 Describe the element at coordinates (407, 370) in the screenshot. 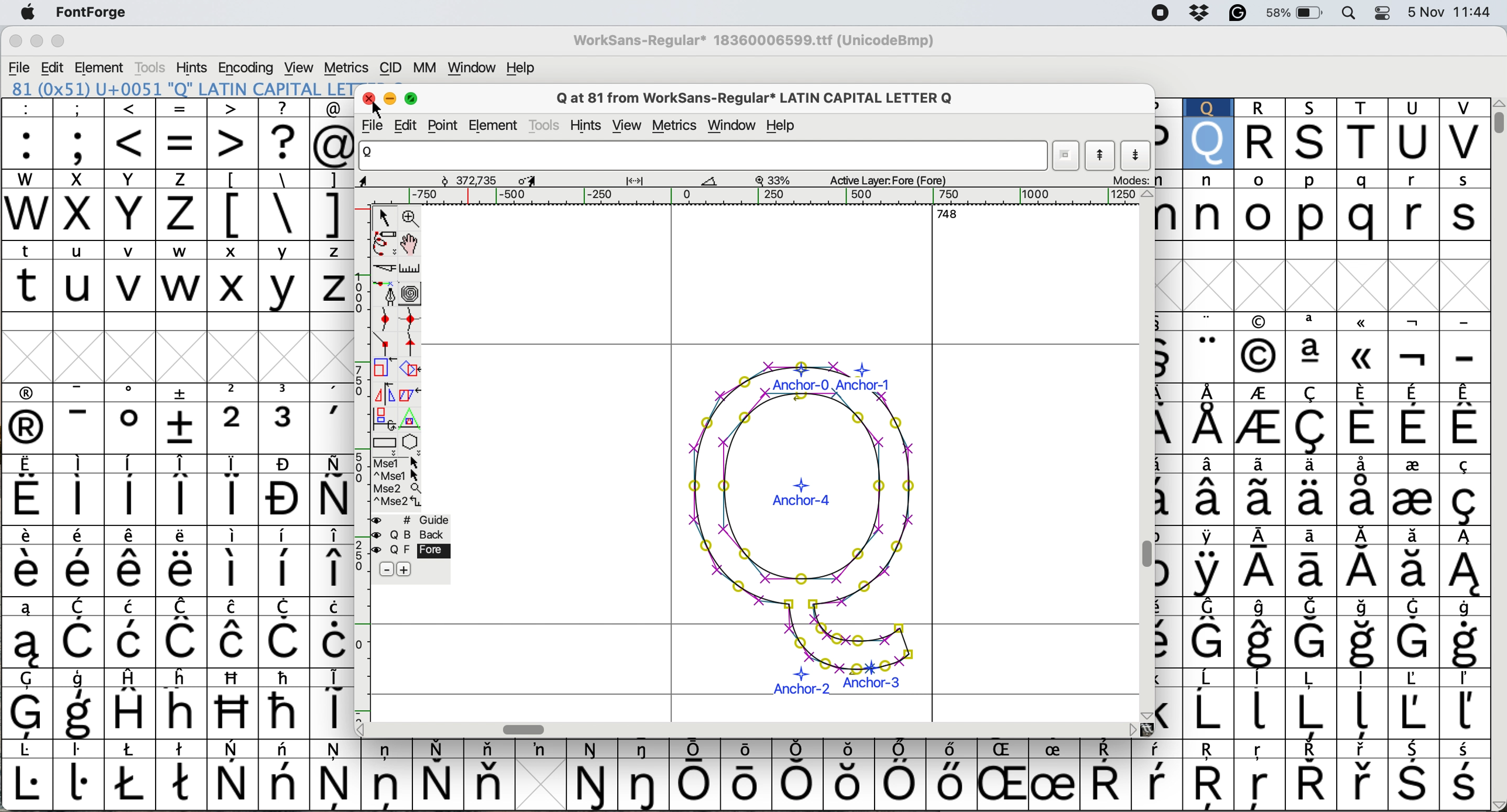

I see `rotate the selection` at that location.